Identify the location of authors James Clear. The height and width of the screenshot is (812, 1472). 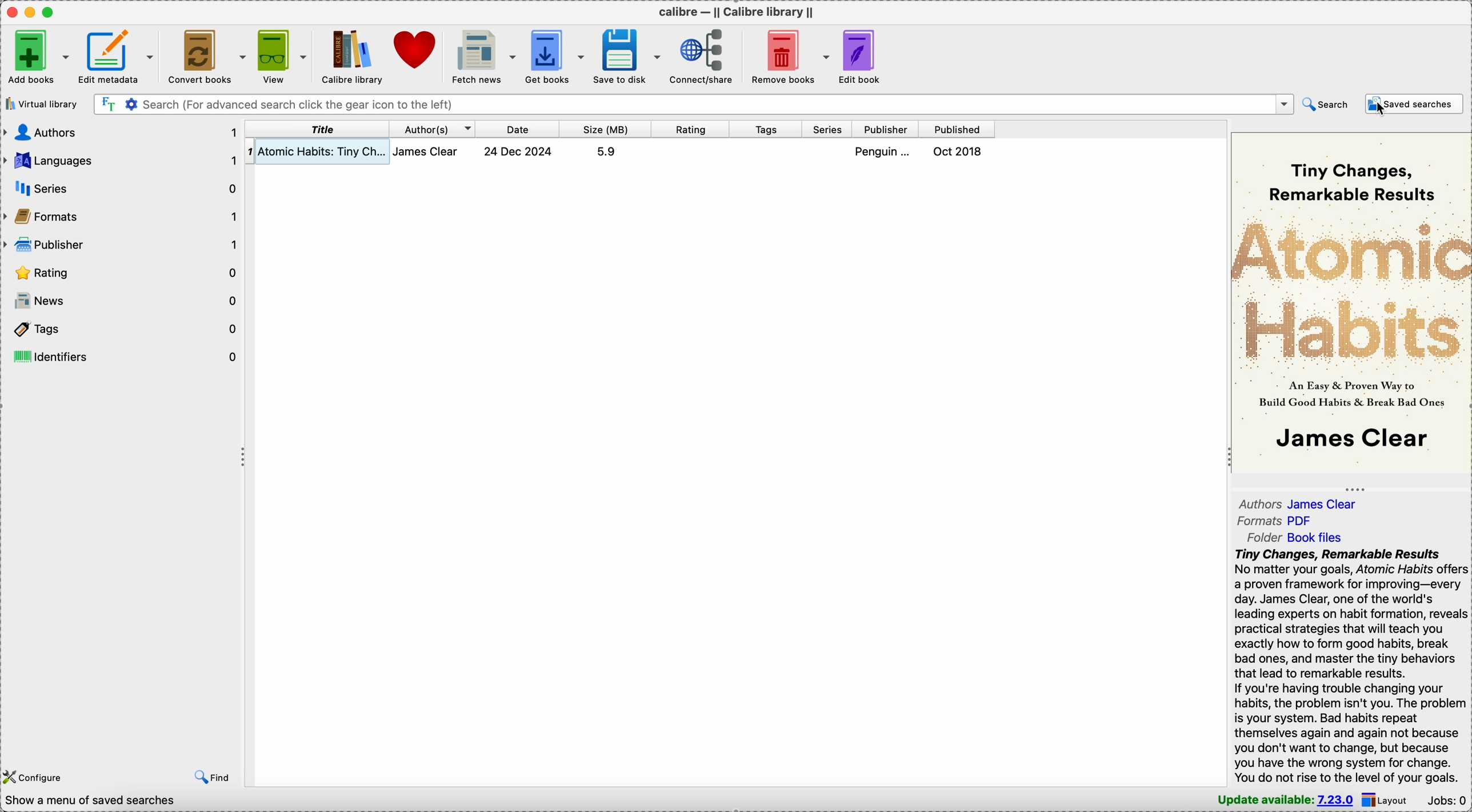
(1304, 502).